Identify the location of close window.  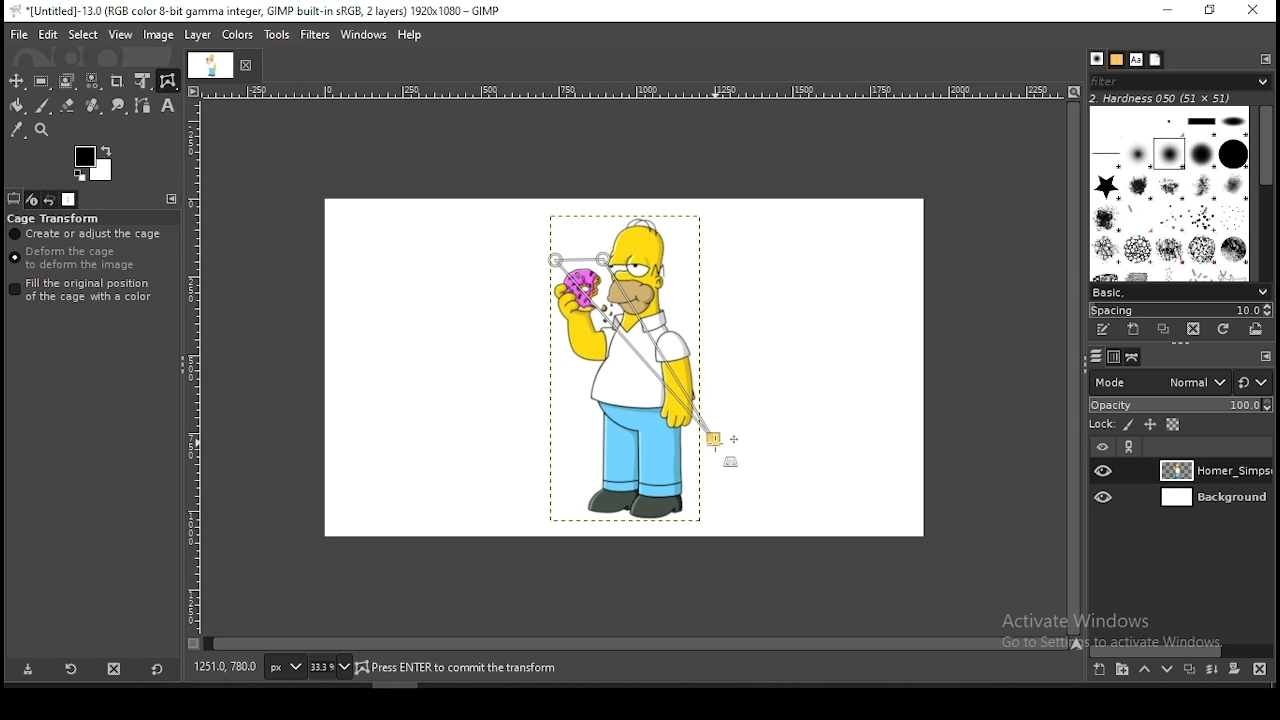
(1252, 12).